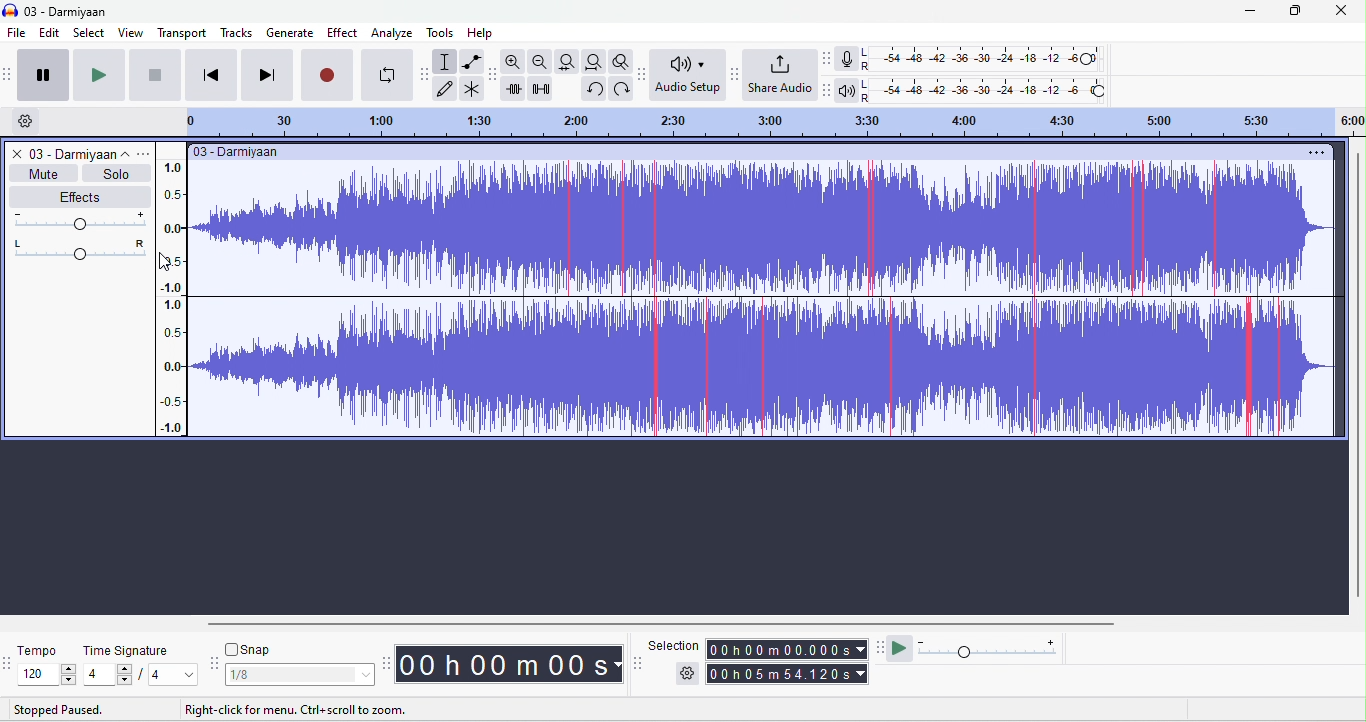  Describe the element at coordinates (212, 74) in the screenshot. I see `skip to start` at that location.